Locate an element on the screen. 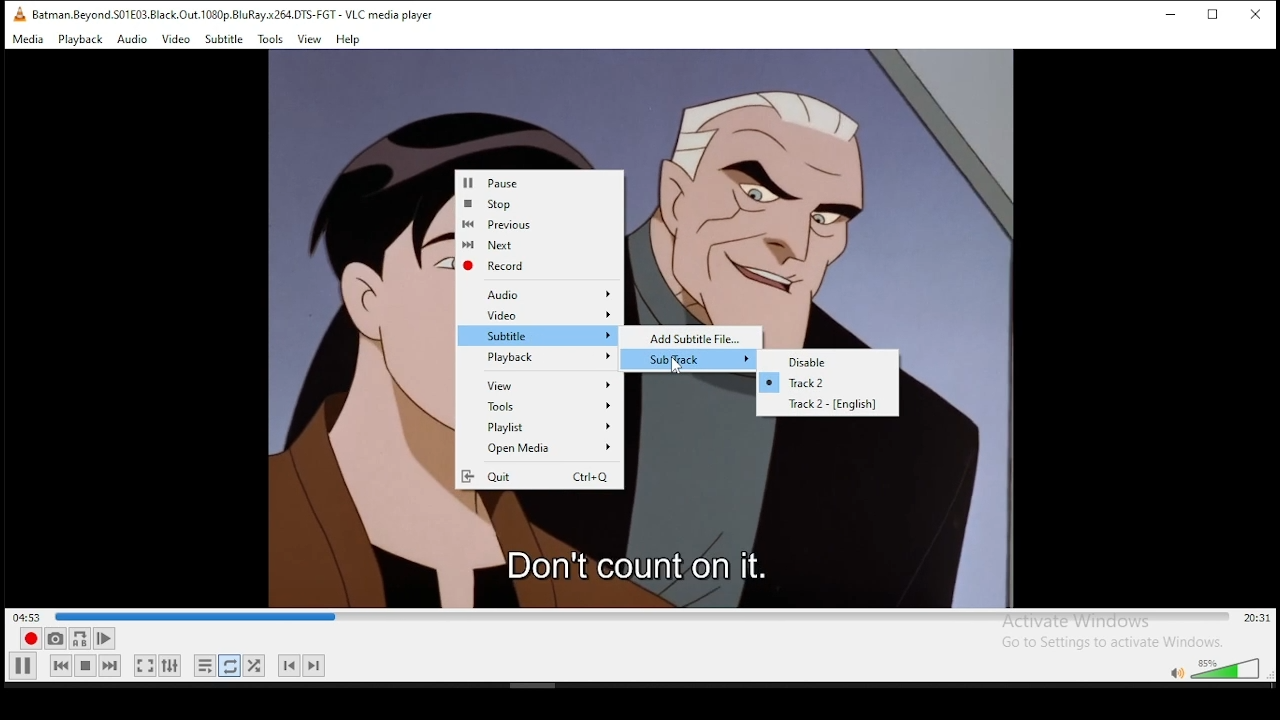 Image resolution: width=1280 pixels, height=720 pixels. Subtitle is located at coordinates (224, 40).